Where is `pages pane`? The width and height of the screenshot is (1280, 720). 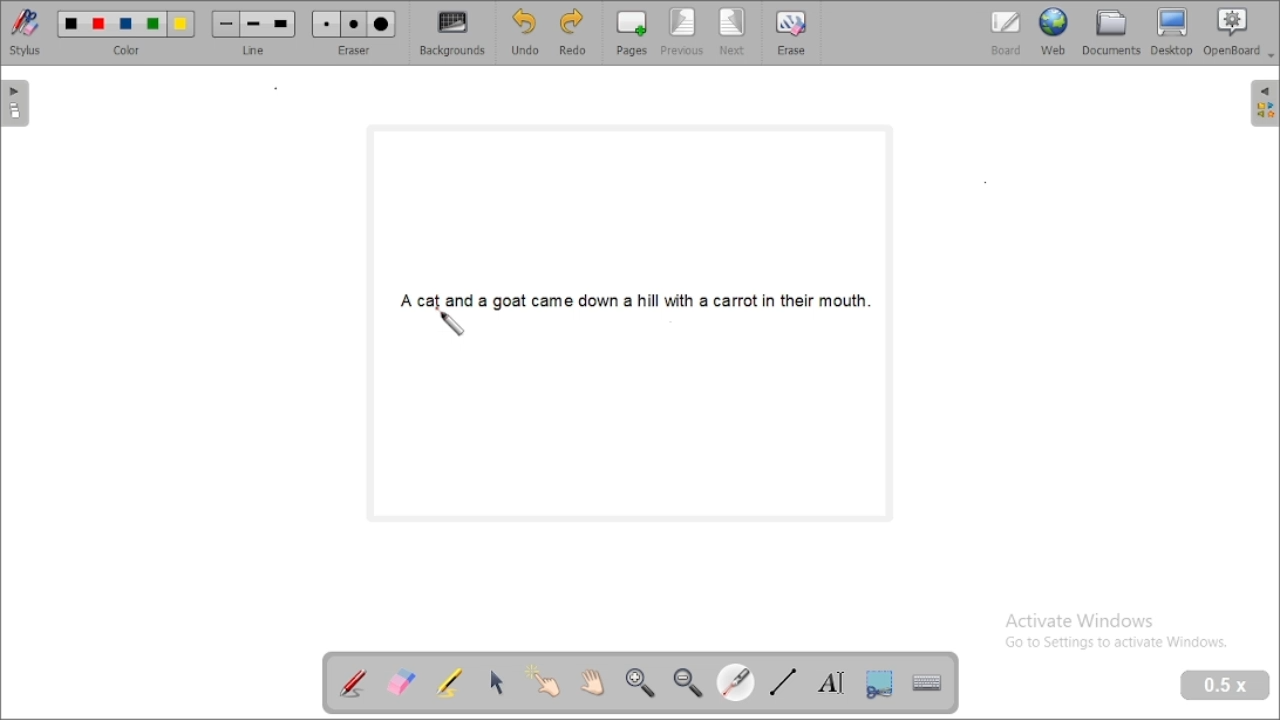 pages pane is located at coordinates (18, 103).